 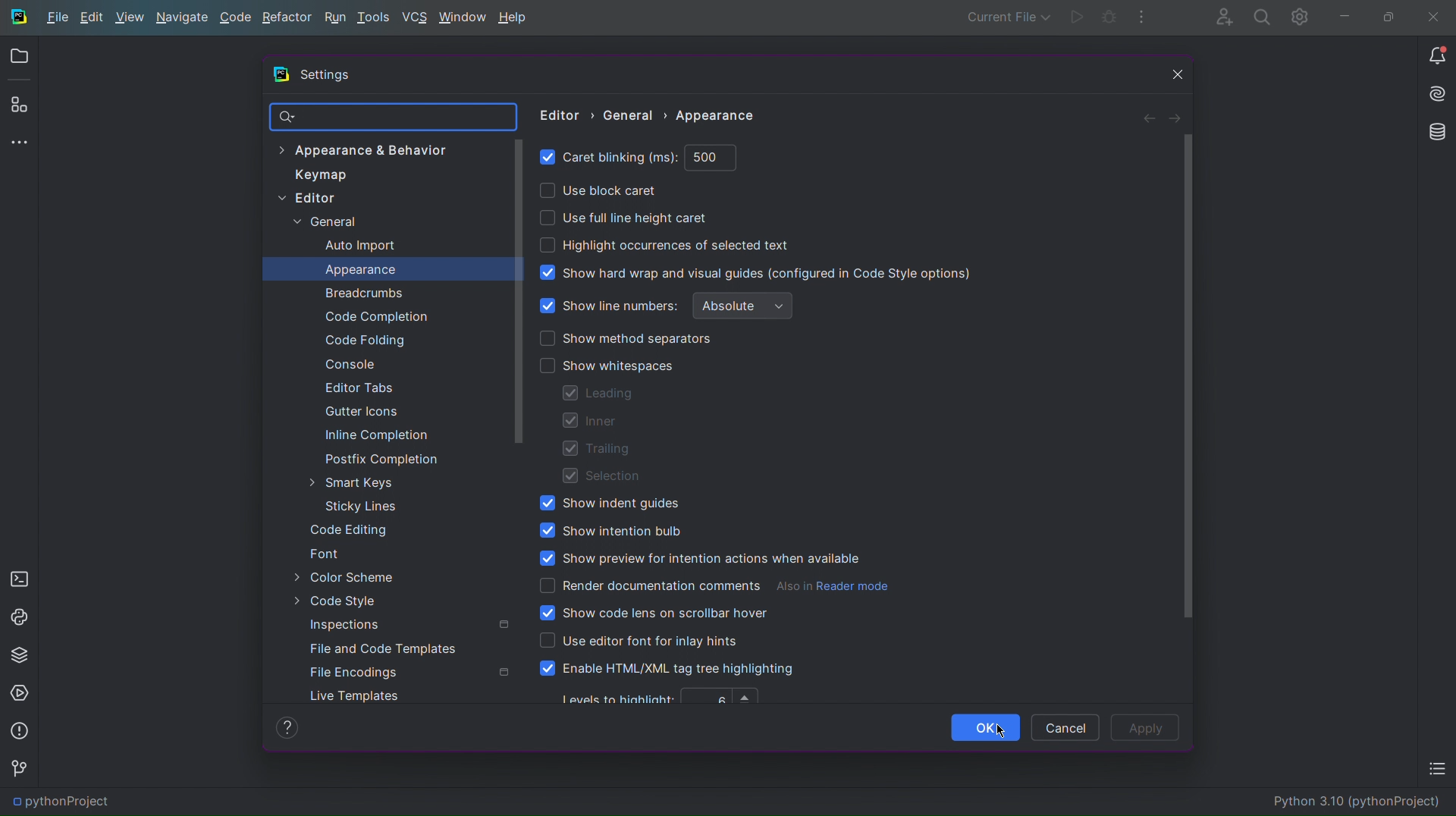 What do you see at coordinates (1077, 19) in the screenshot?
I see `Run` at bounding box center [1077, 19].